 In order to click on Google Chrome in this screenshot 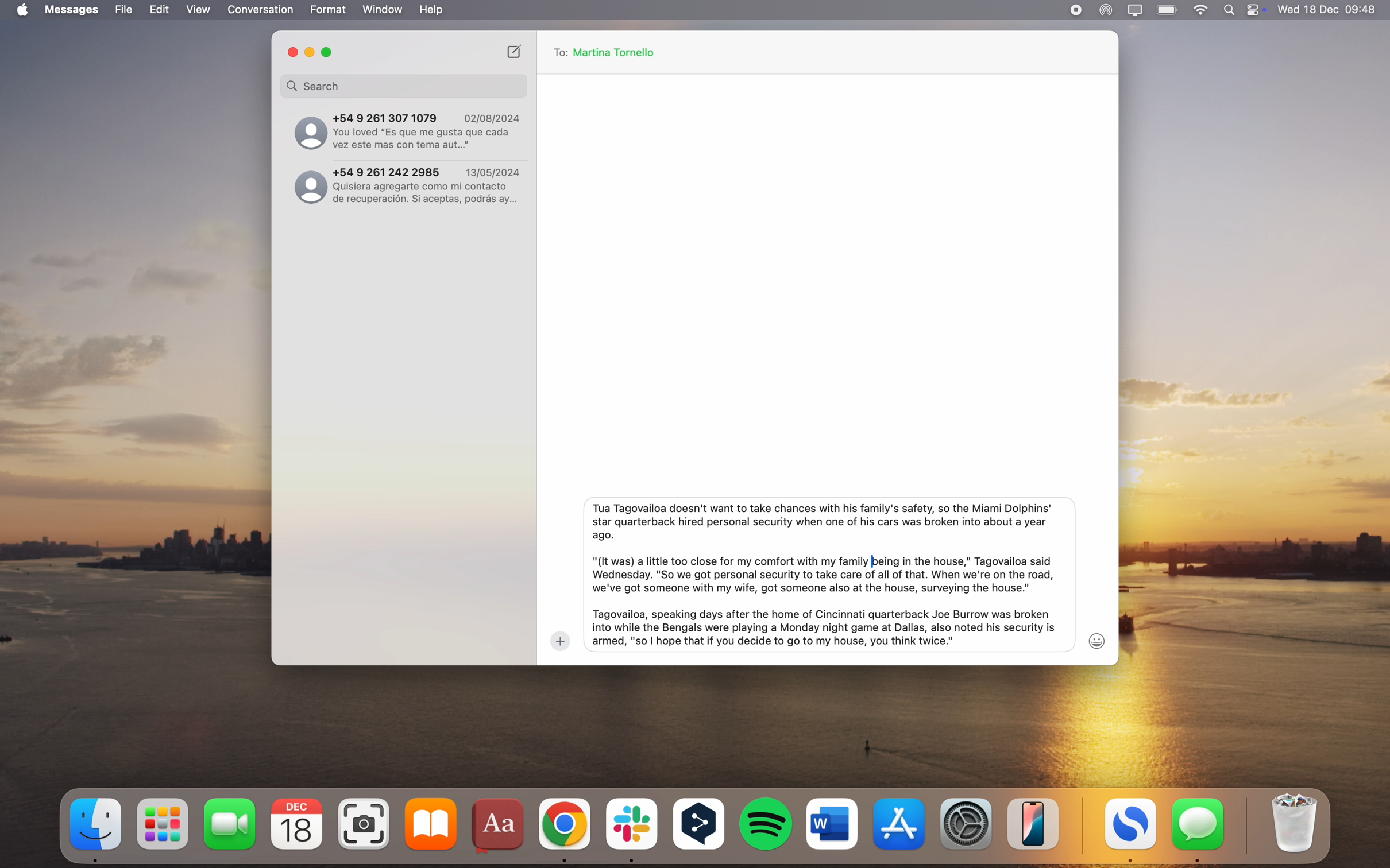, I will do `click(565, 828)`.